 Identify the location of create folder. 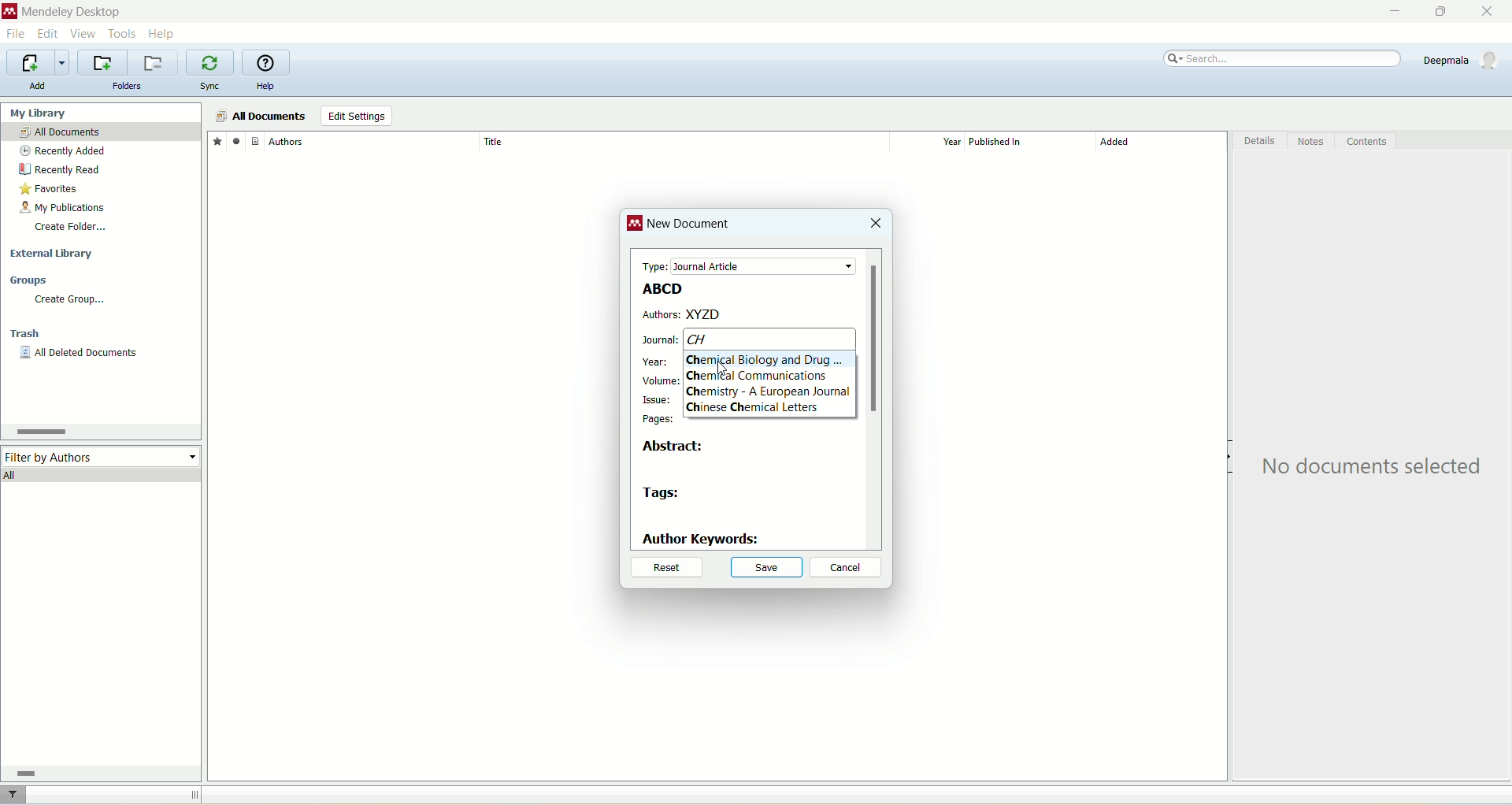
(70, 226).